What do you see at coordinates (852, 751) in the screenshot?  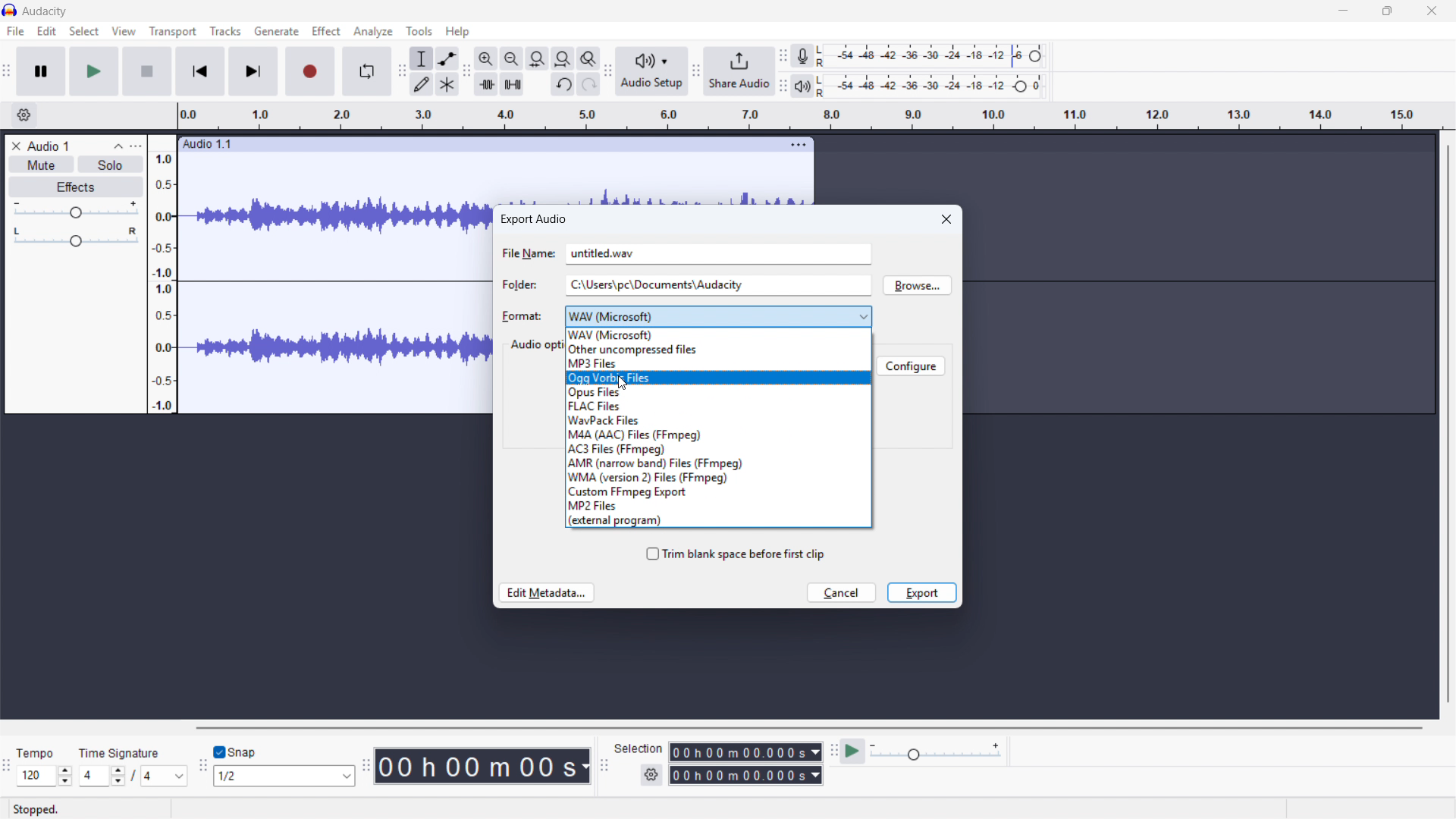 I see `Play at speed` at bounding box center [852, 751].